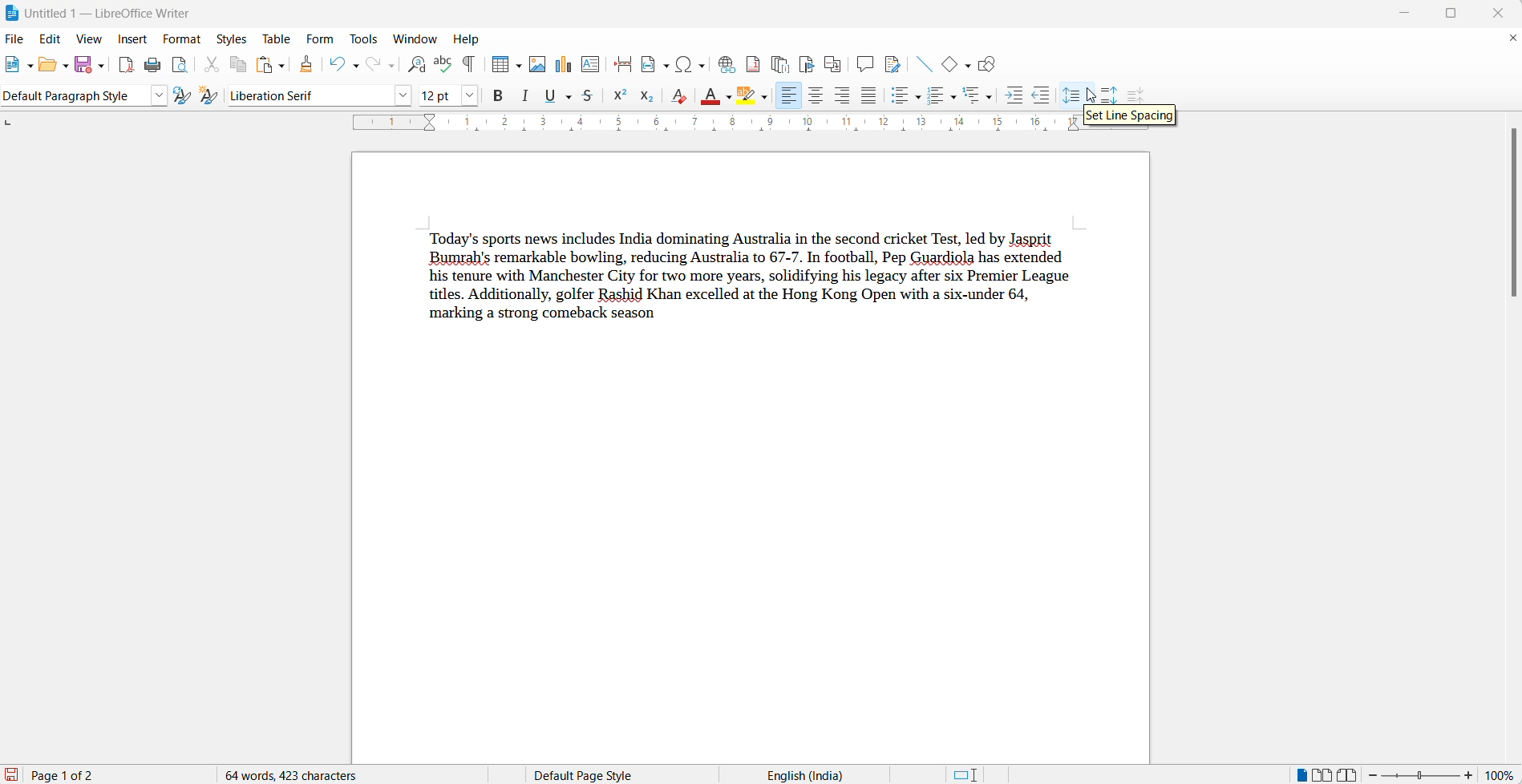  I want to click on page break, so click(622, 64).